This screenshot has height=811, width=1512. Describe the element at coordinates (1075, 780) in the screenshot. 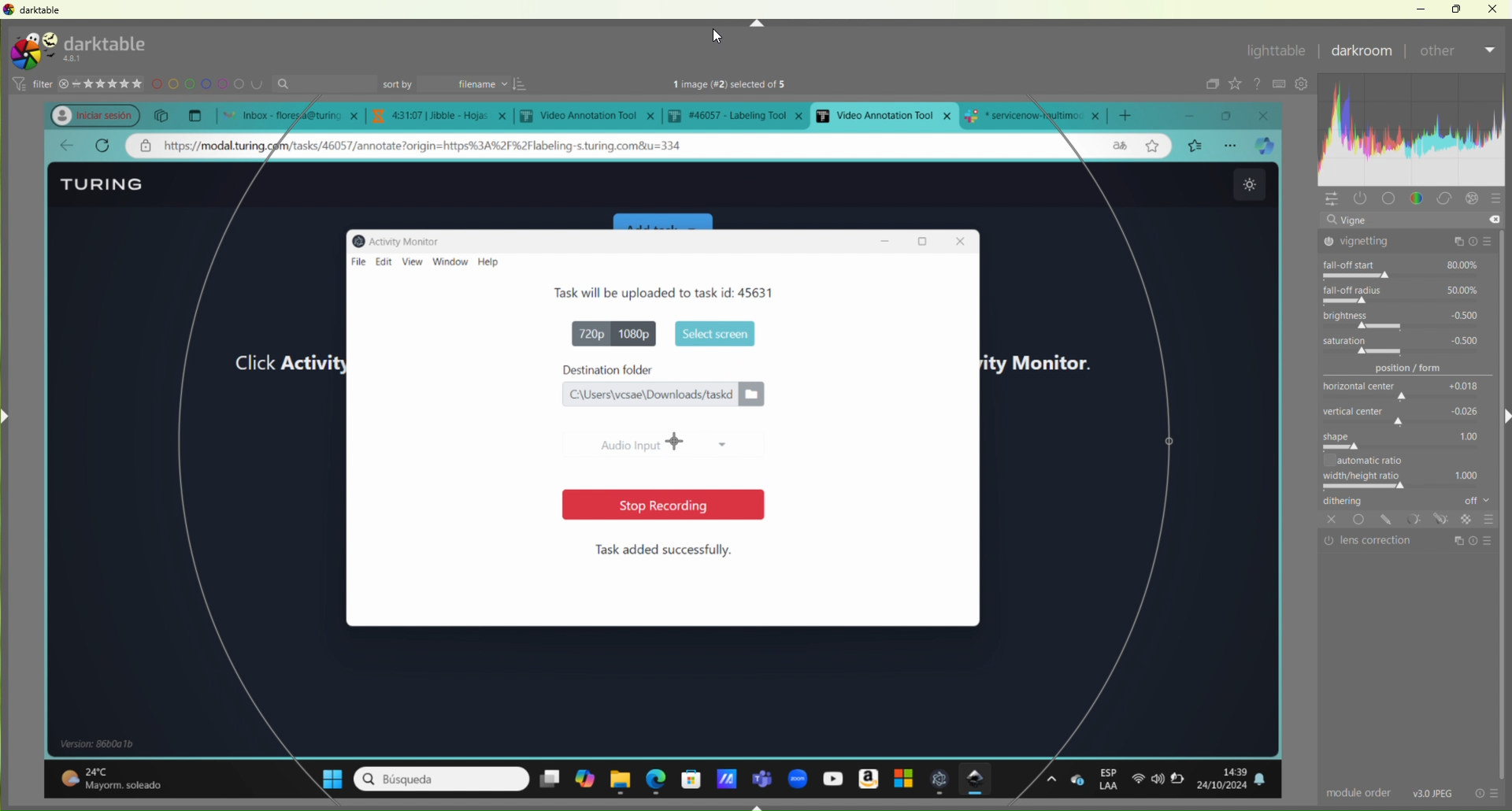

I see `one drive` at that location.